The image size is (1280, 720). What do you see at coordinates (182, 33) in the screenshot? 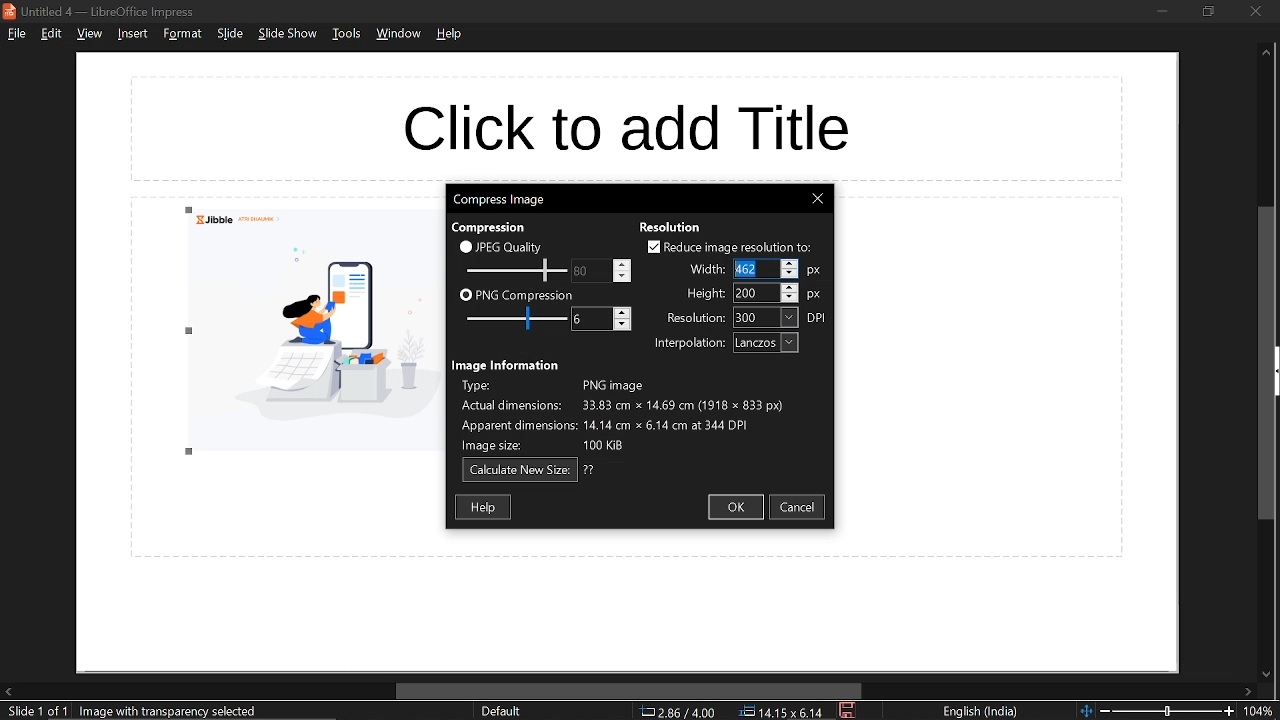
I see `format` at bounding box center [182, 33].